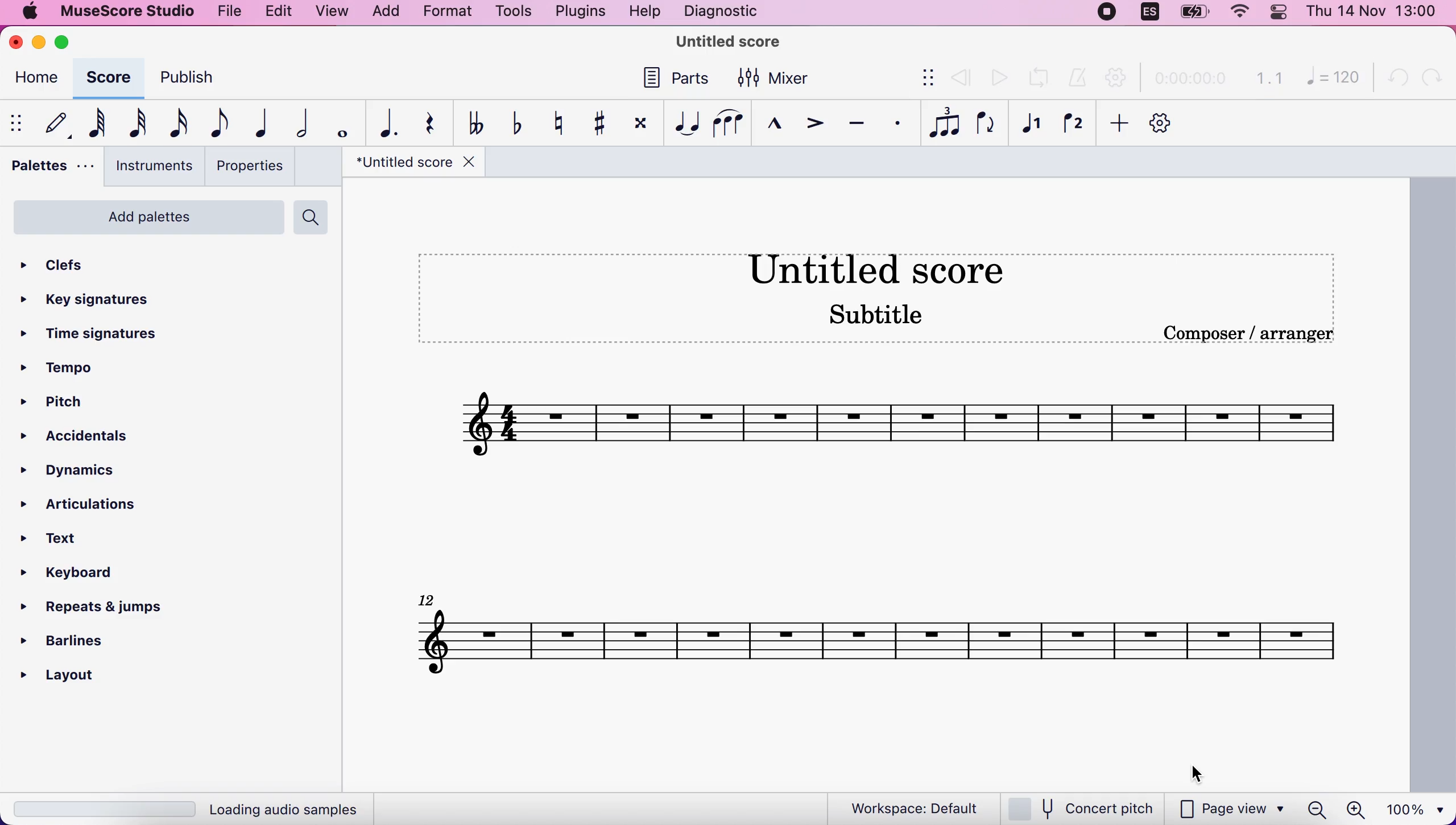  What do you see at coordinates (1392, 78) in the screenshot?
I see `undo` at bounding box center [1392, 78].